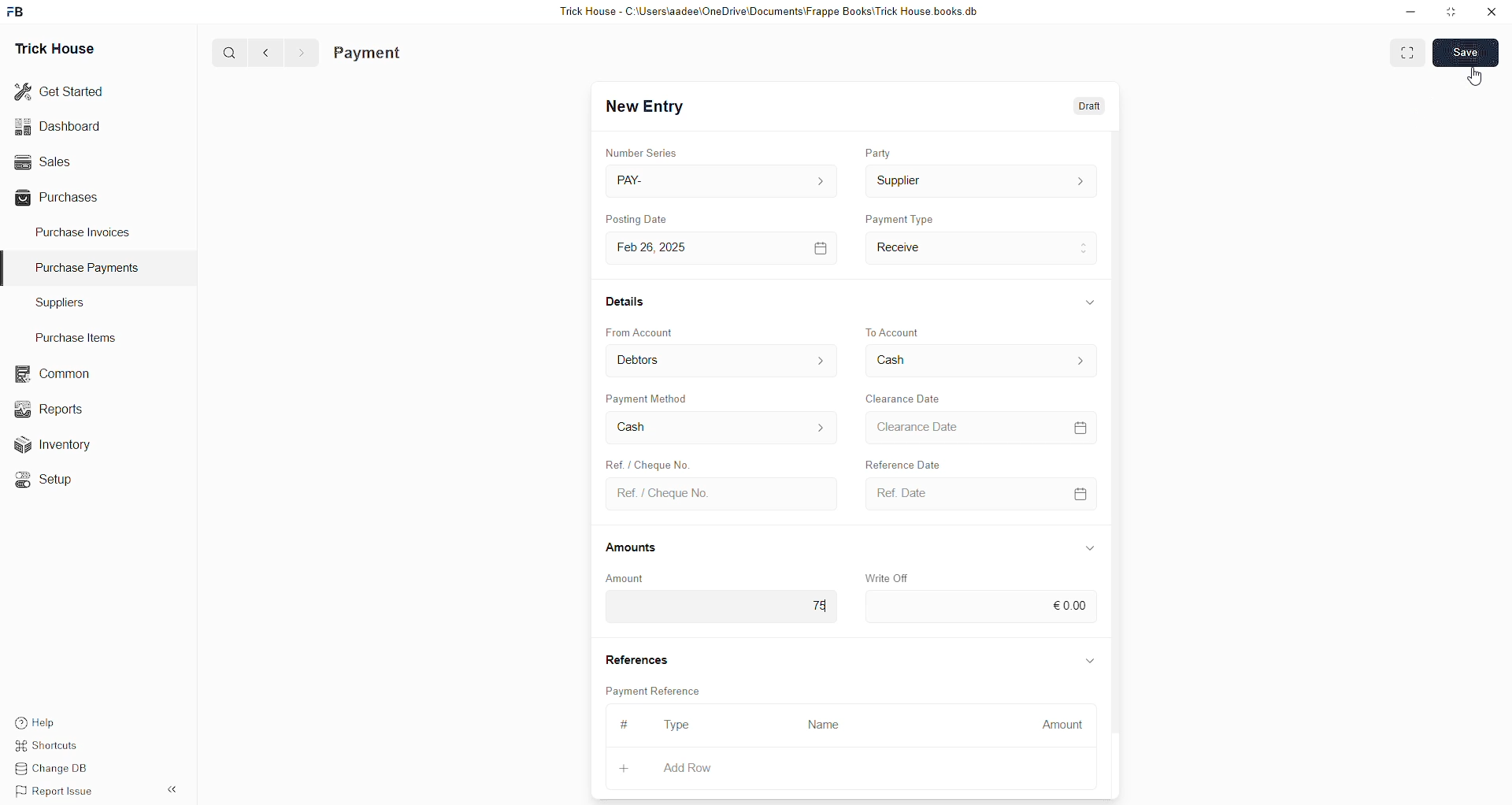 This screenshot has width=1512, height=805. I want to click on Name, so click(824, 725).